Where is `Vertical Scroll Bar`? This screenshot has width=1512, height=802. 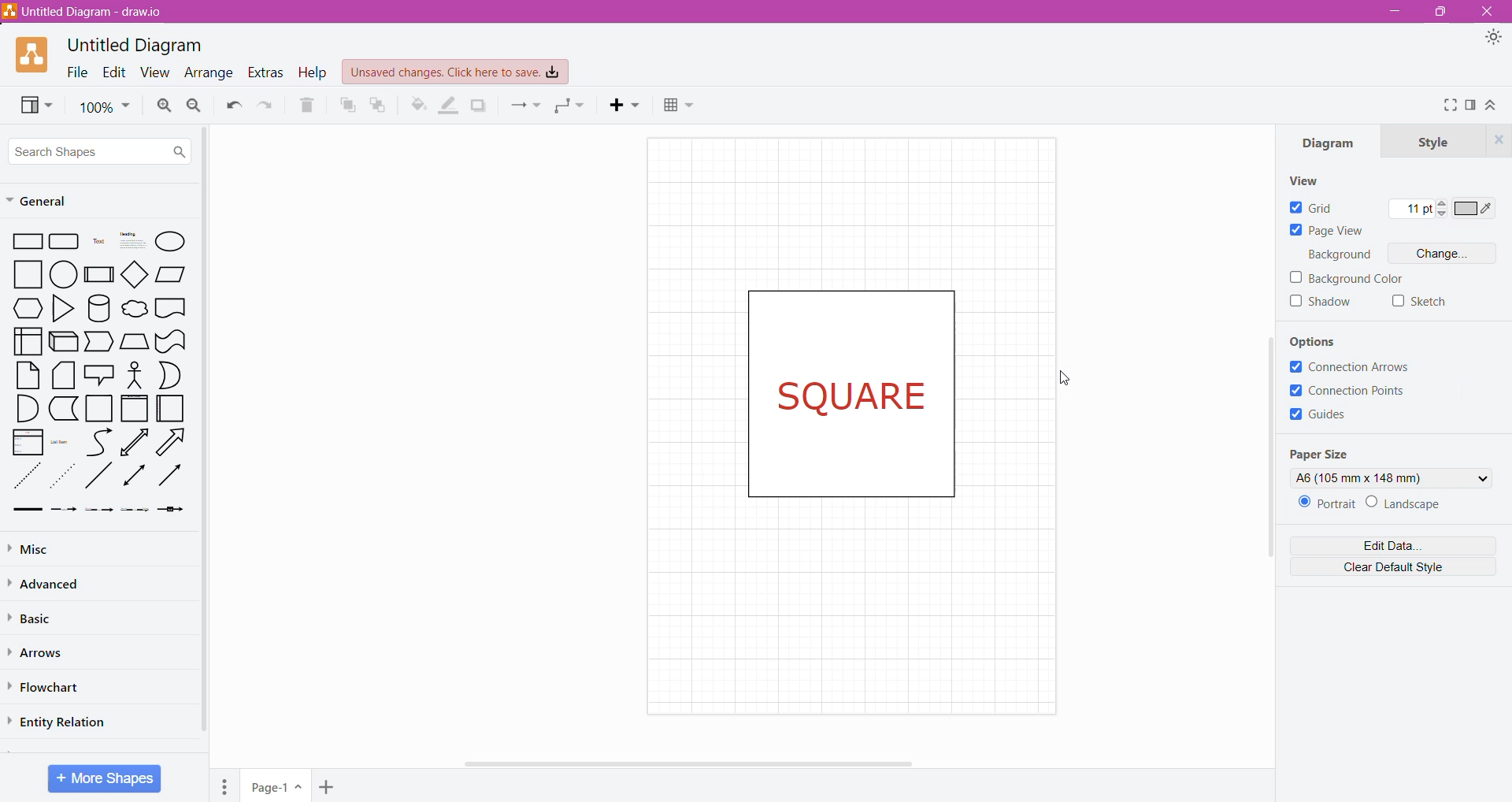 Vertical Scroll Bar is located at coordinates (206, 433).